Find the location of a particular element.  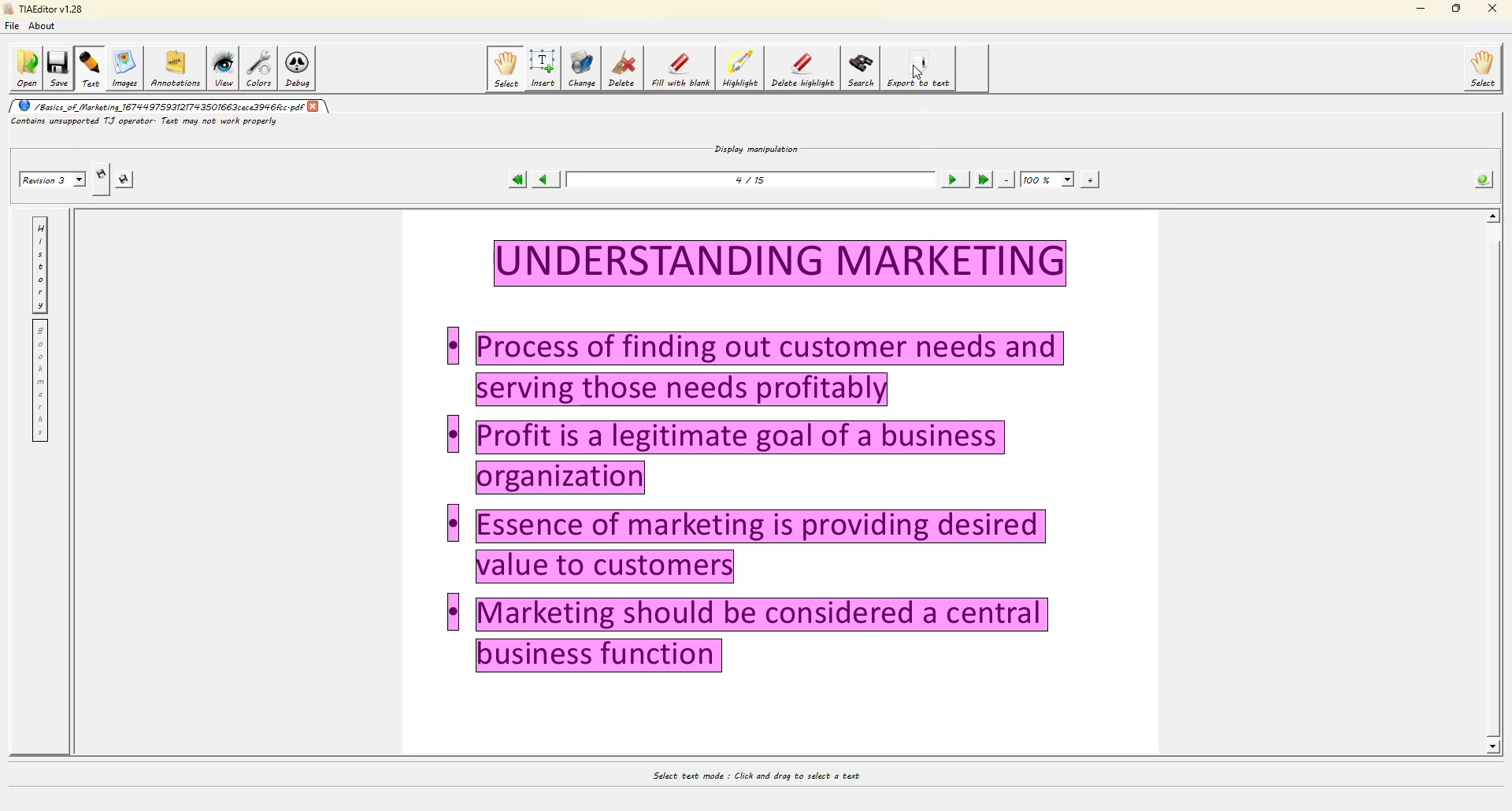

next page is located at coordinates (953, 179).